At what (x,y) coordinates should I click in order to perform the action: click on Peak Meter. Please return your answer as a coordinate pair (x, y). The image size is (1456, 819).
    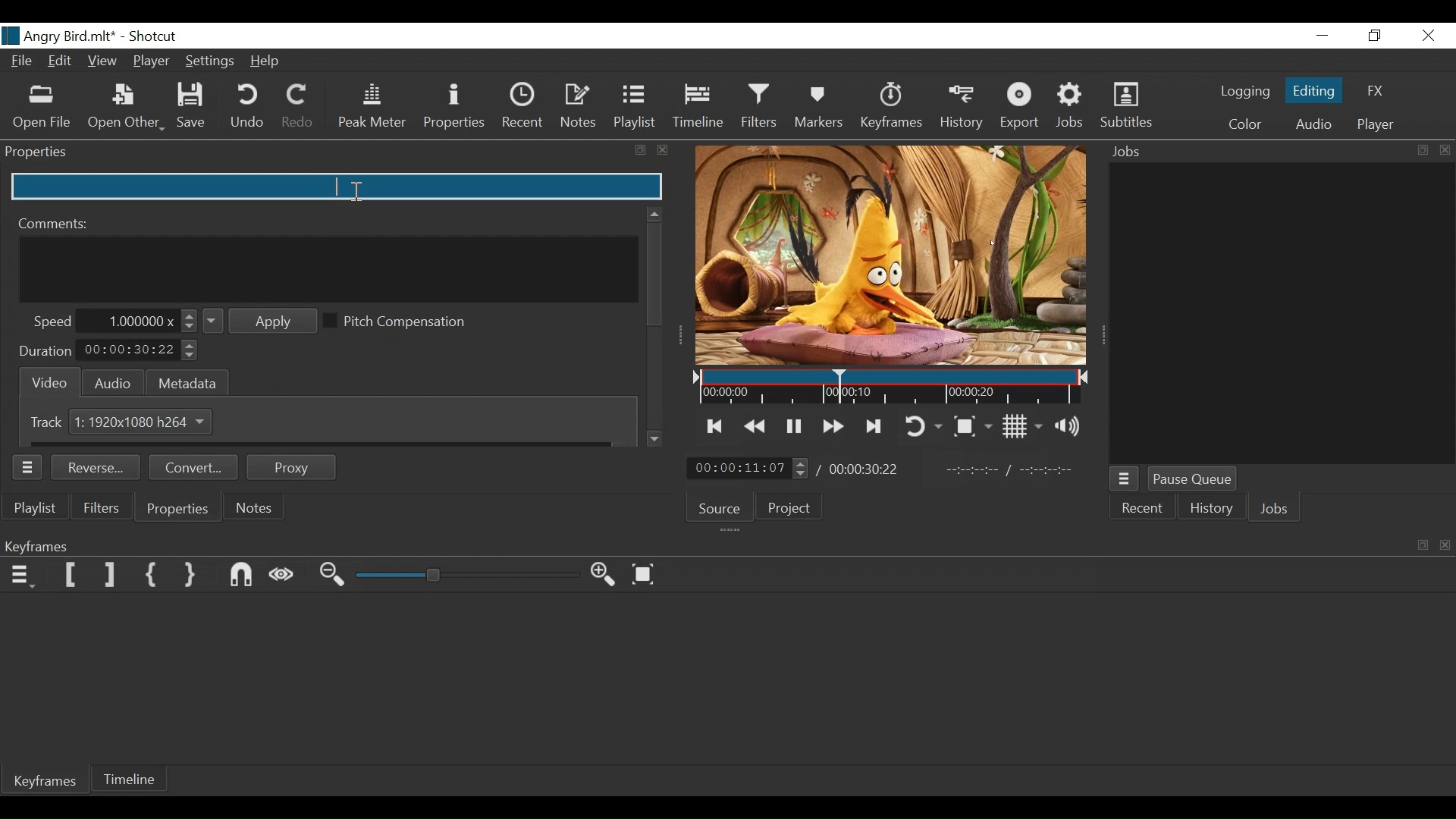
    Looking at the image, I should click on (369, 108).